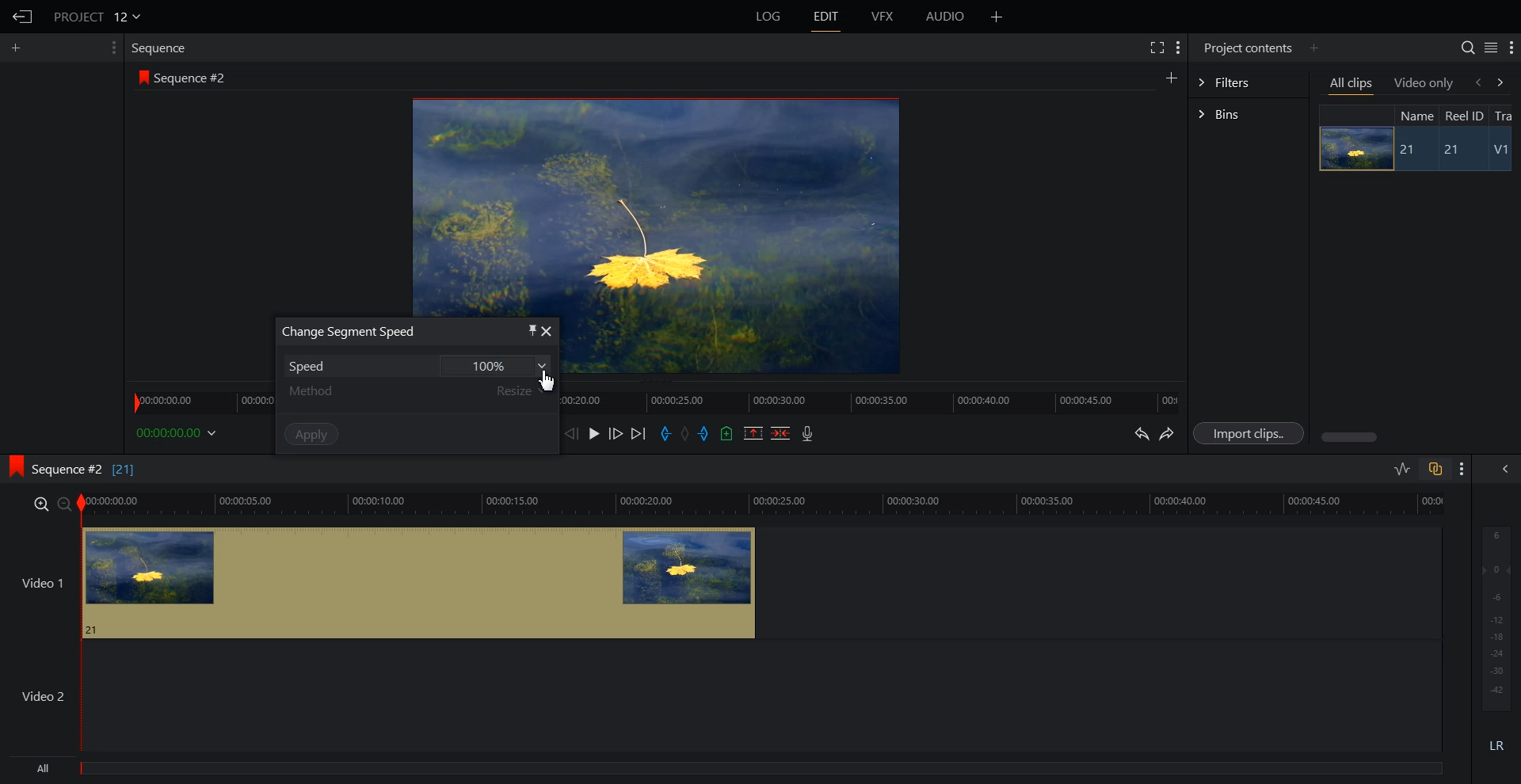  Describe the element at coordinates (616, 433) in the screenshot. I see `Nurse one frame forward` at that location.